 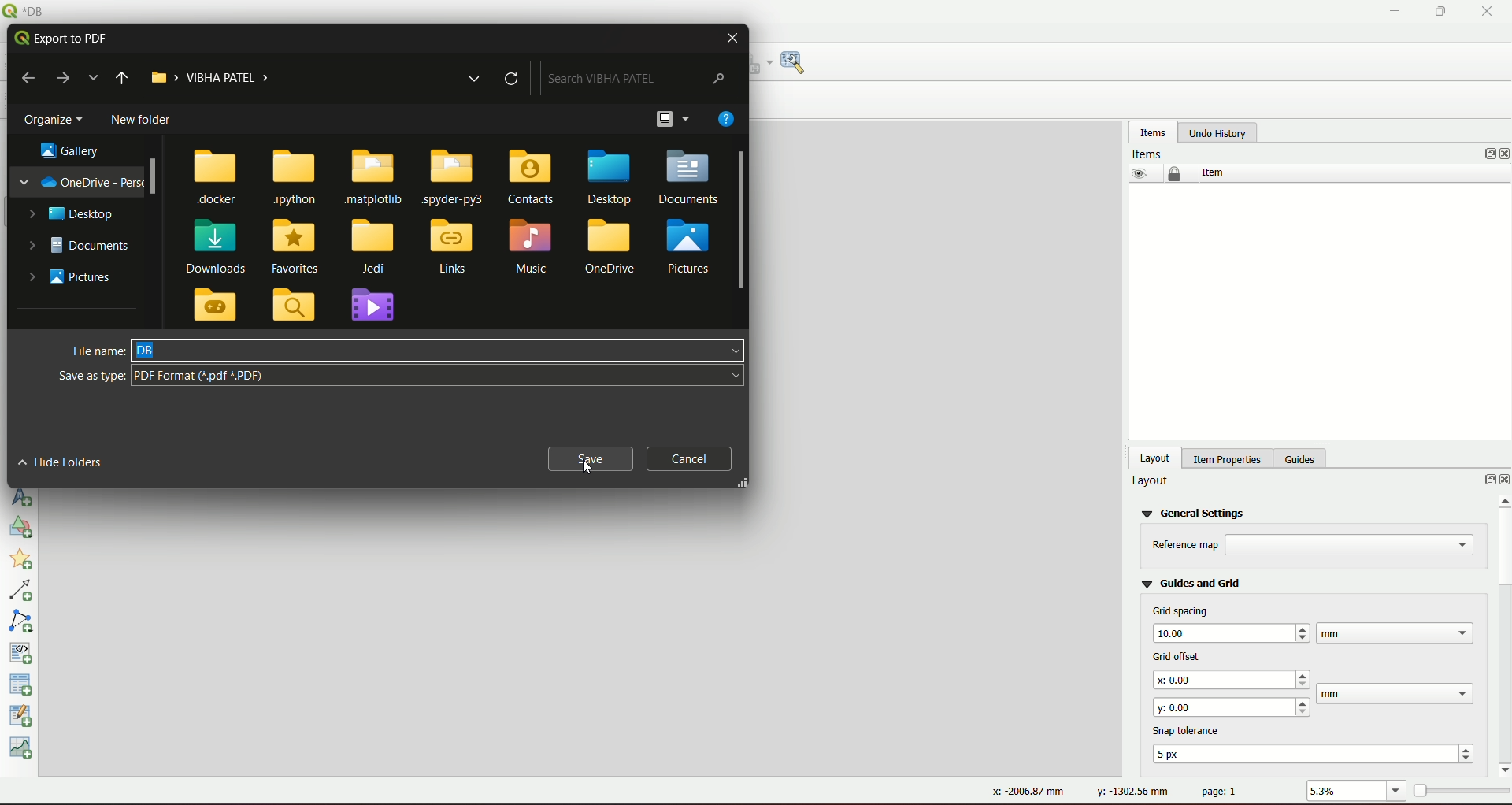 I want to click on help, so click(x=728, y=121).